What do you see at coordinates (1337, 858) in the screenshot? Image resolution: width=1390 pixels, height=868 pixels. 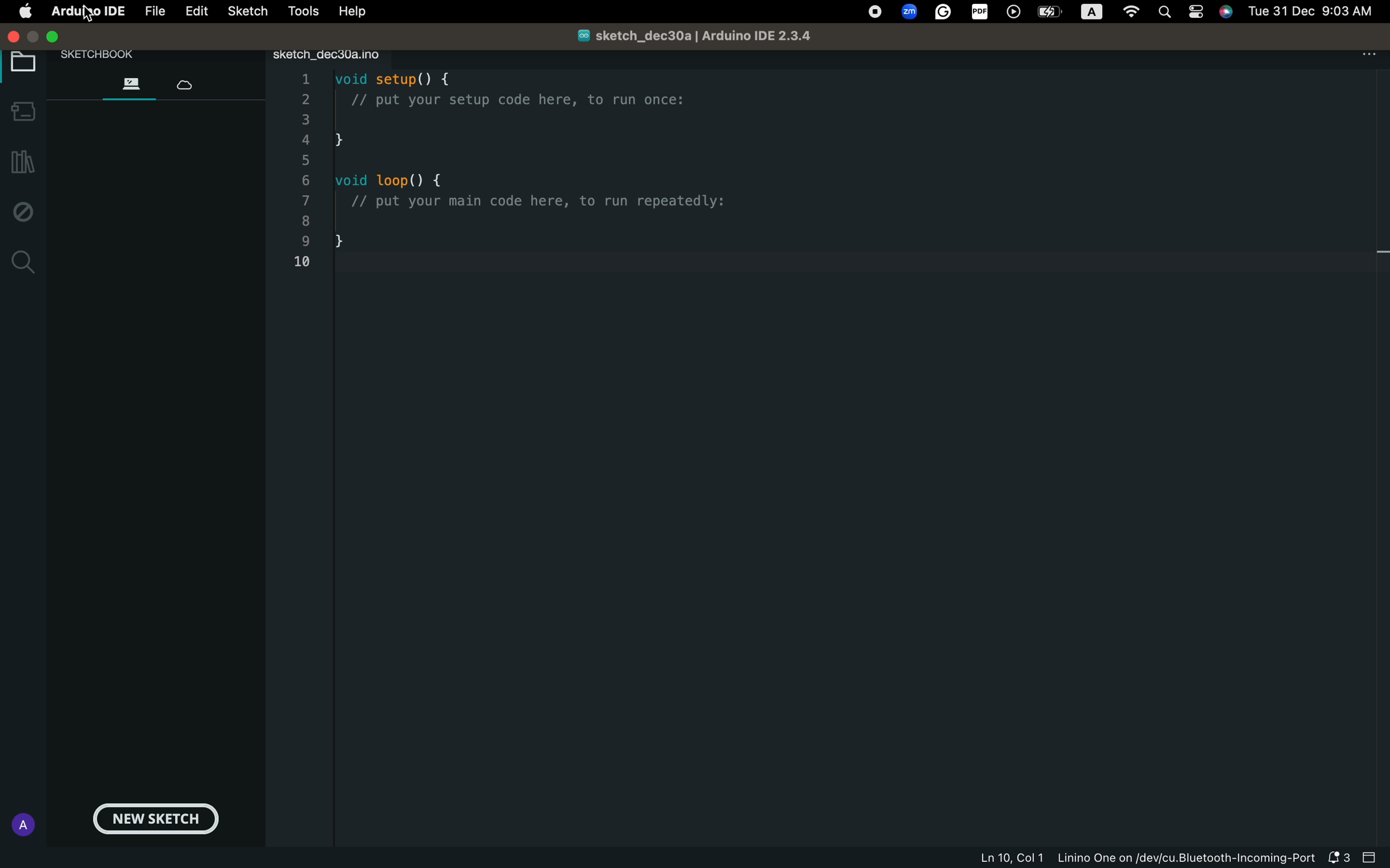 I see `notification` at bounding box center [1337, 858].